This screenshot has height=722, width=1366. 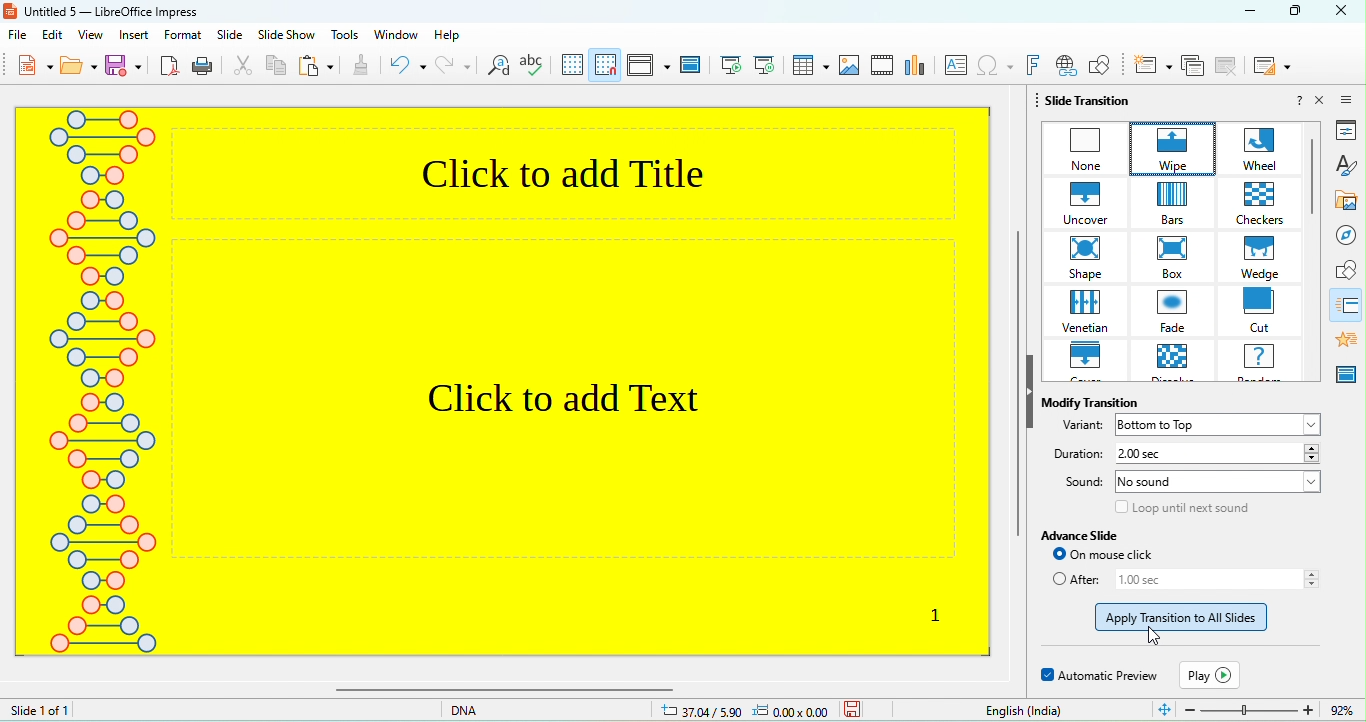 I want to click on image, so click(x=849, y=65).